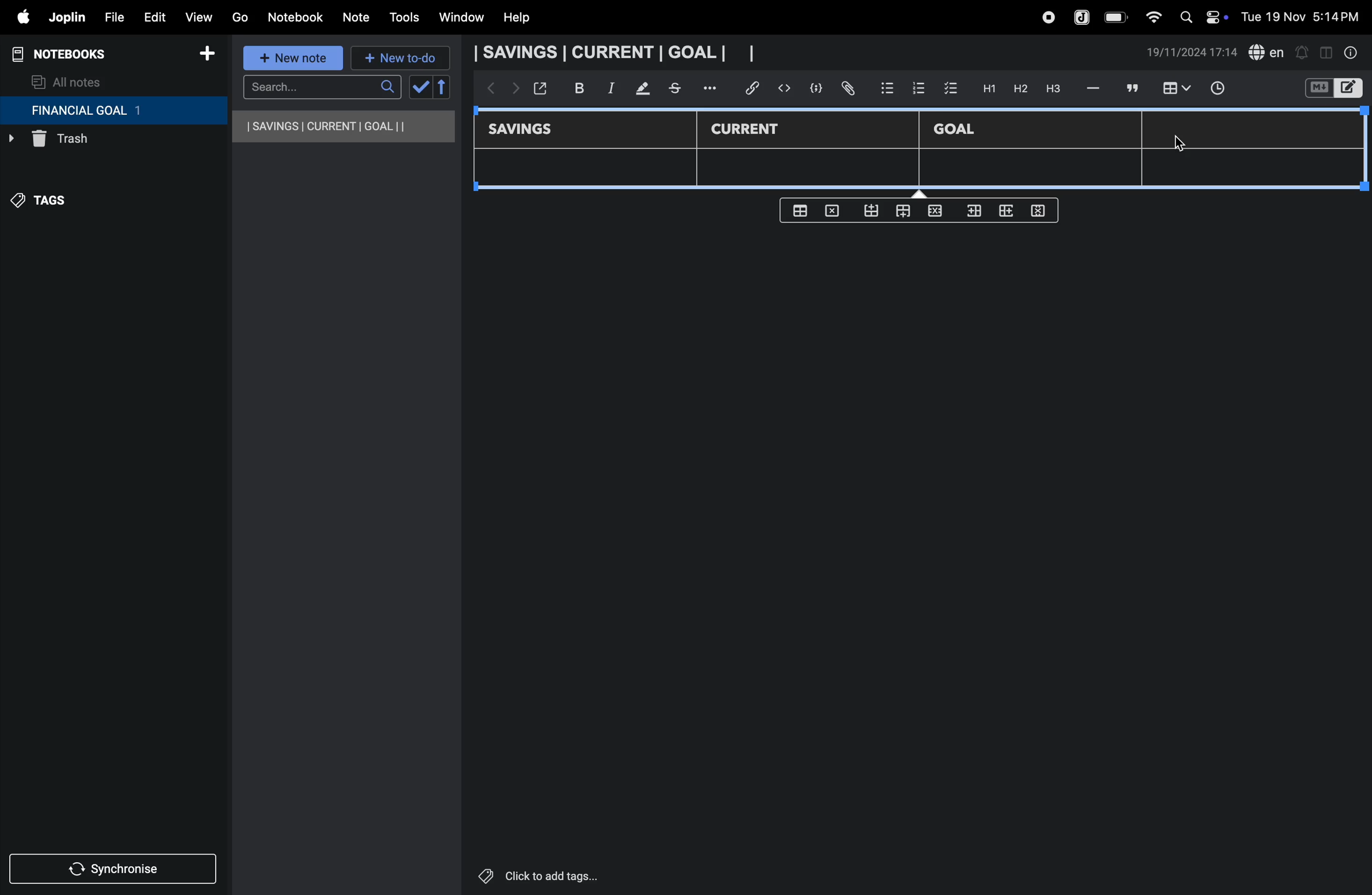 The height and width of the screenshot is (895, 1372). What do you see at coordinates (17, 17) in the screenshot?
I see `apple menu` at bounding box center [17, 17].